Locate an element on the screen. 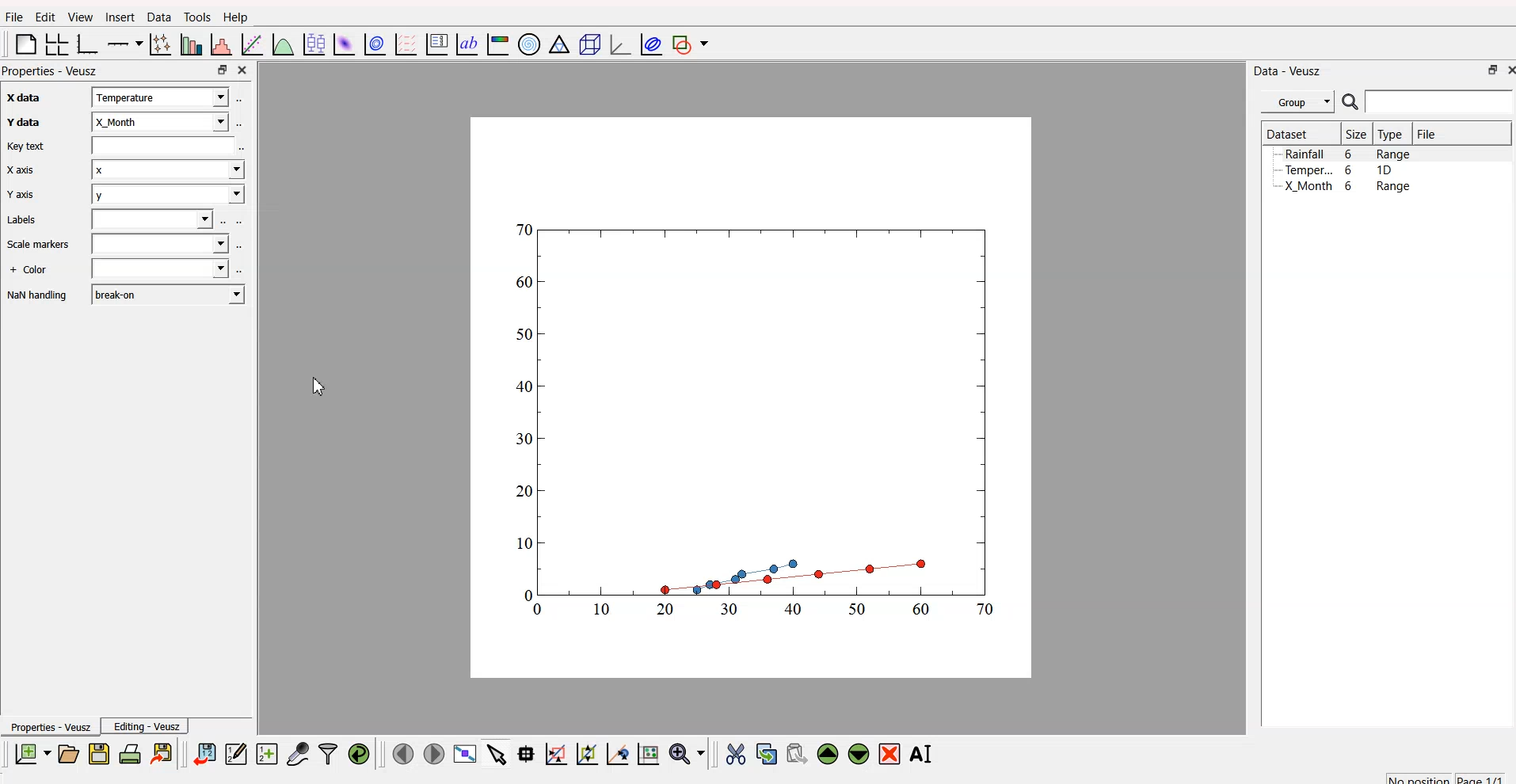 The image size is (1516, 784). Key text is located at coordinates (27, 147).